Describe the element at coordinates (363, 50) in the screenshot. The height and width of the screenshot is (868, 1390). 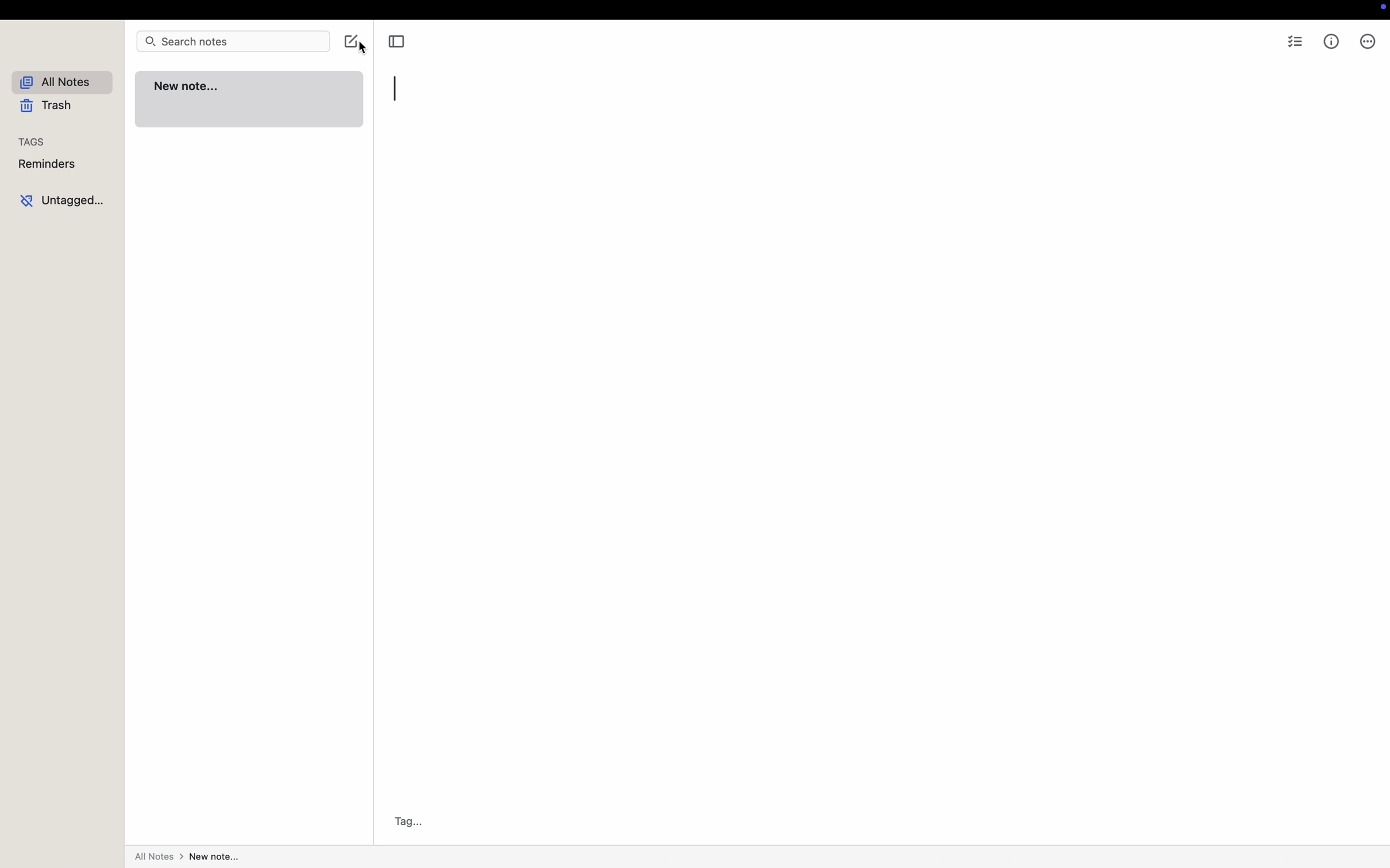
I see `cursor` at that location.